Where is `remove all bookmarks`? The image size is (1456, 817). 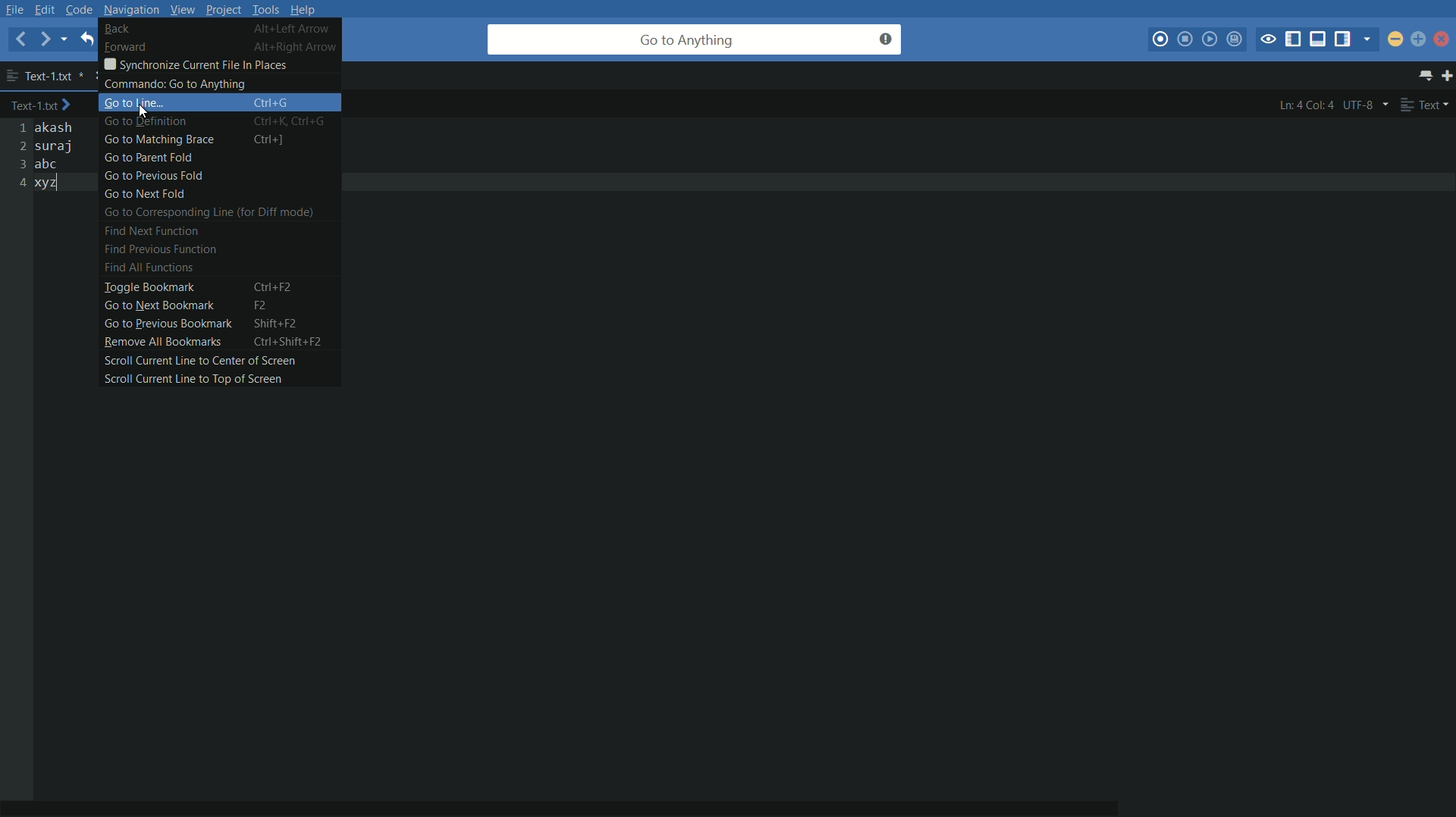 remove all bookmarks is located at coordinates (158, 342).